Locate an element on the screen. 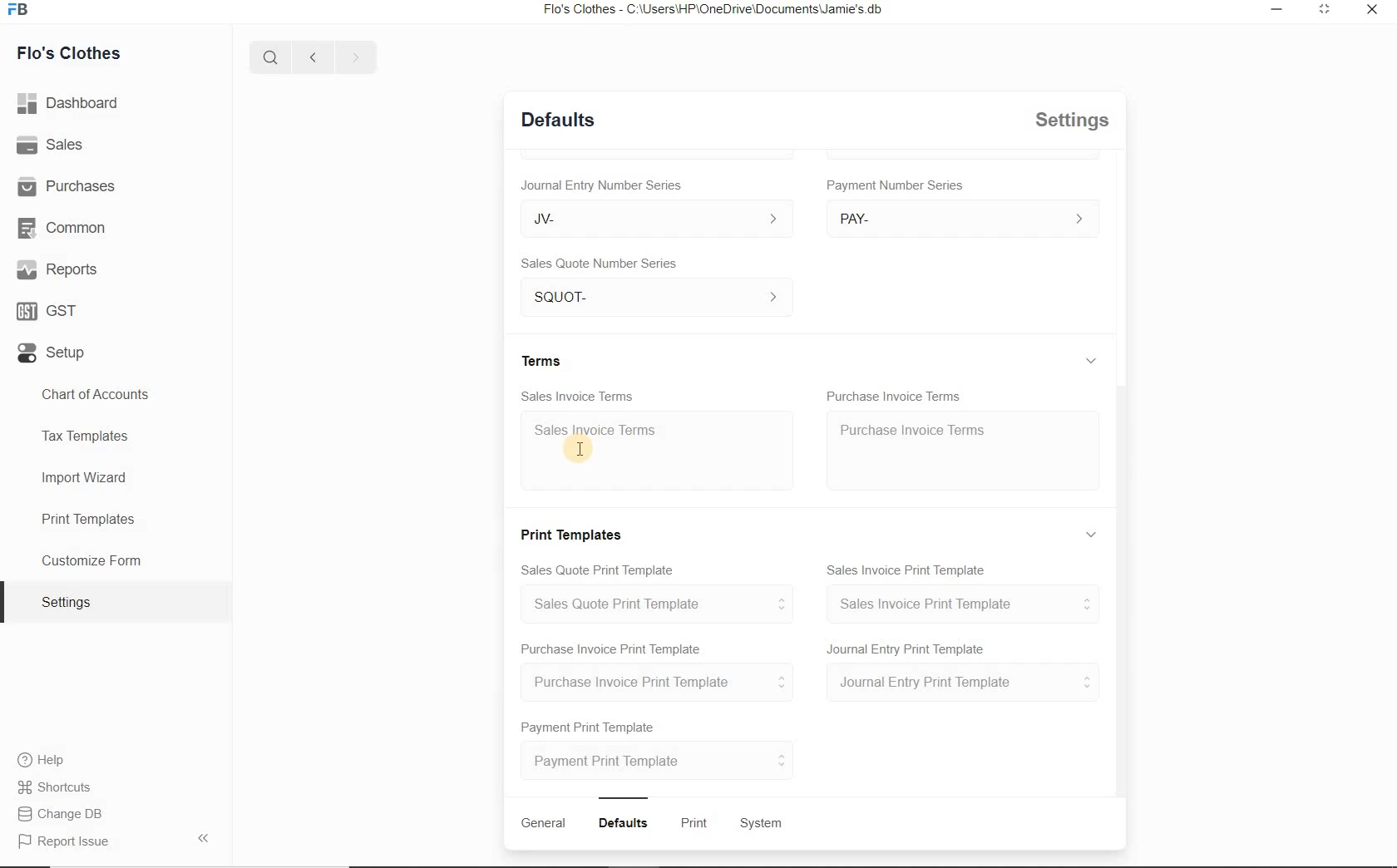 Image resolution: width=1397 pixels, height=868 pixels. Previous is located at coordinates (310, 56).